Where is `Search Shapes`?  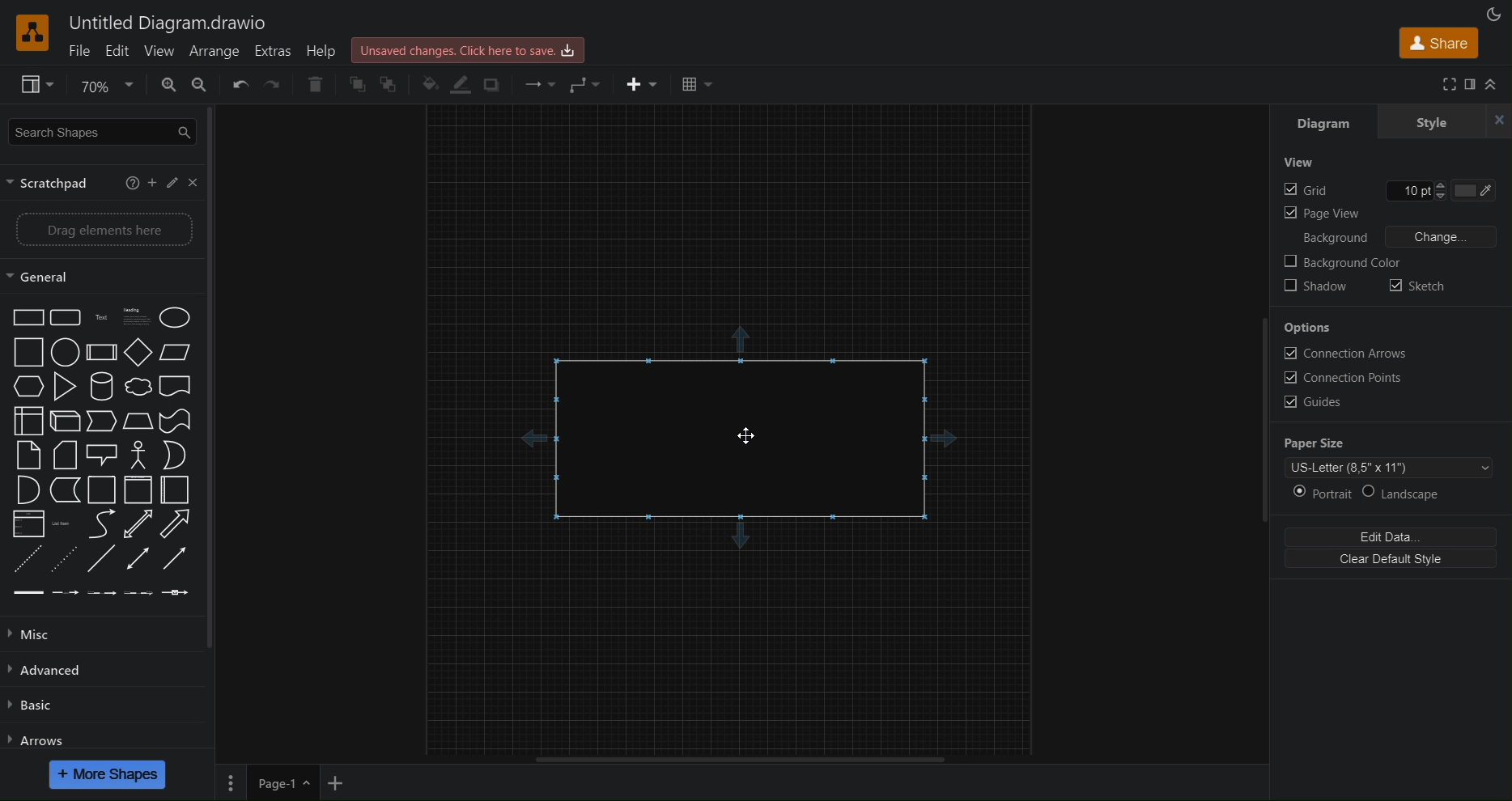
Search Shapes is located at coordinates (101, 133).